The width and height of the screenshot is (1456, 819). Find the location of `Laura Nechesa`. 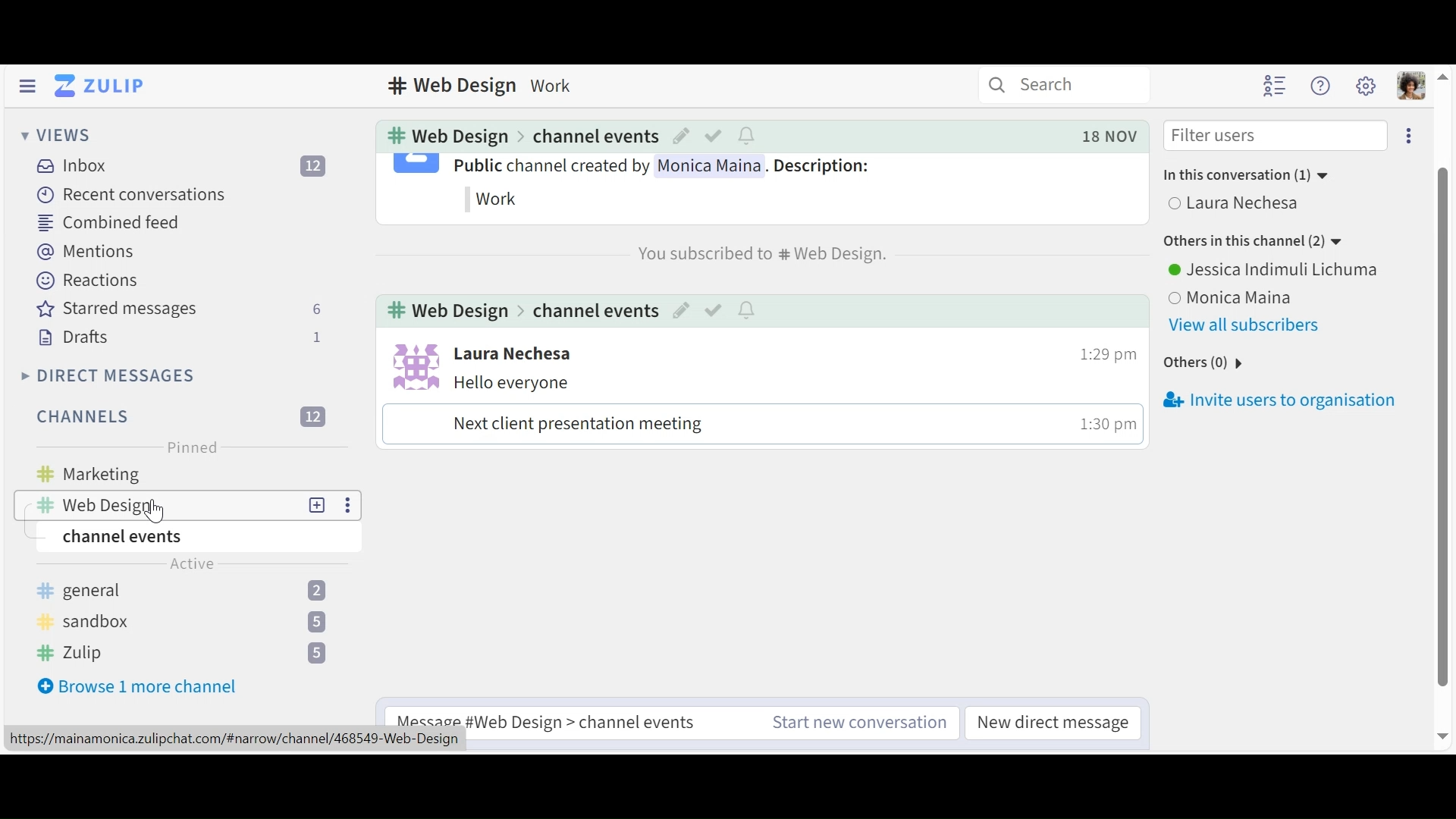

Laura Nechesa is located at coordinates (1268, 204).